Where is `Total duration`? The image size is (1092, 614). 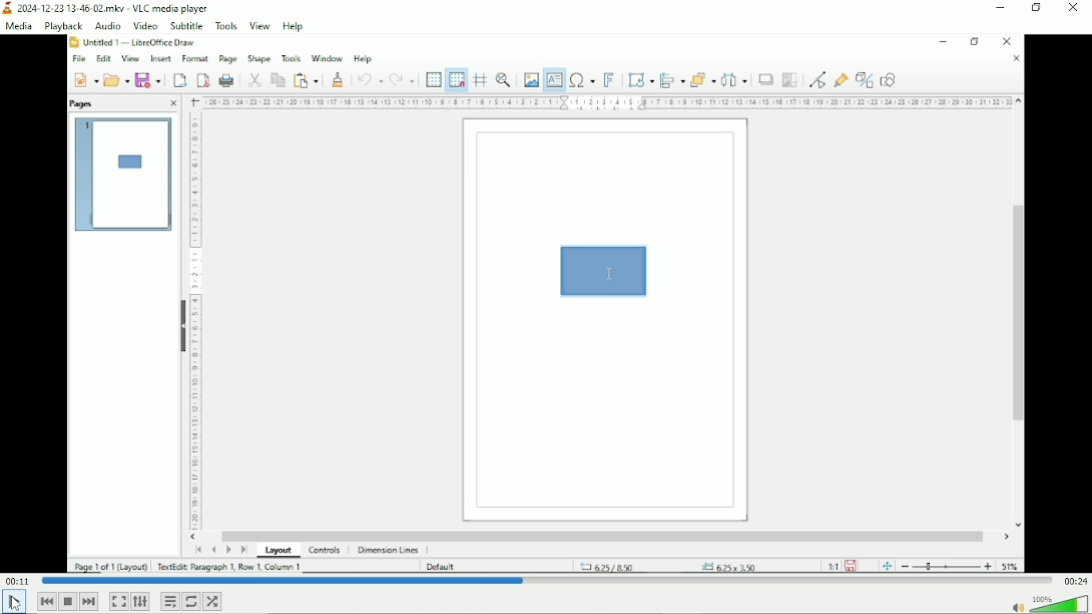
Total duration is located at coordinates (1076, 581).